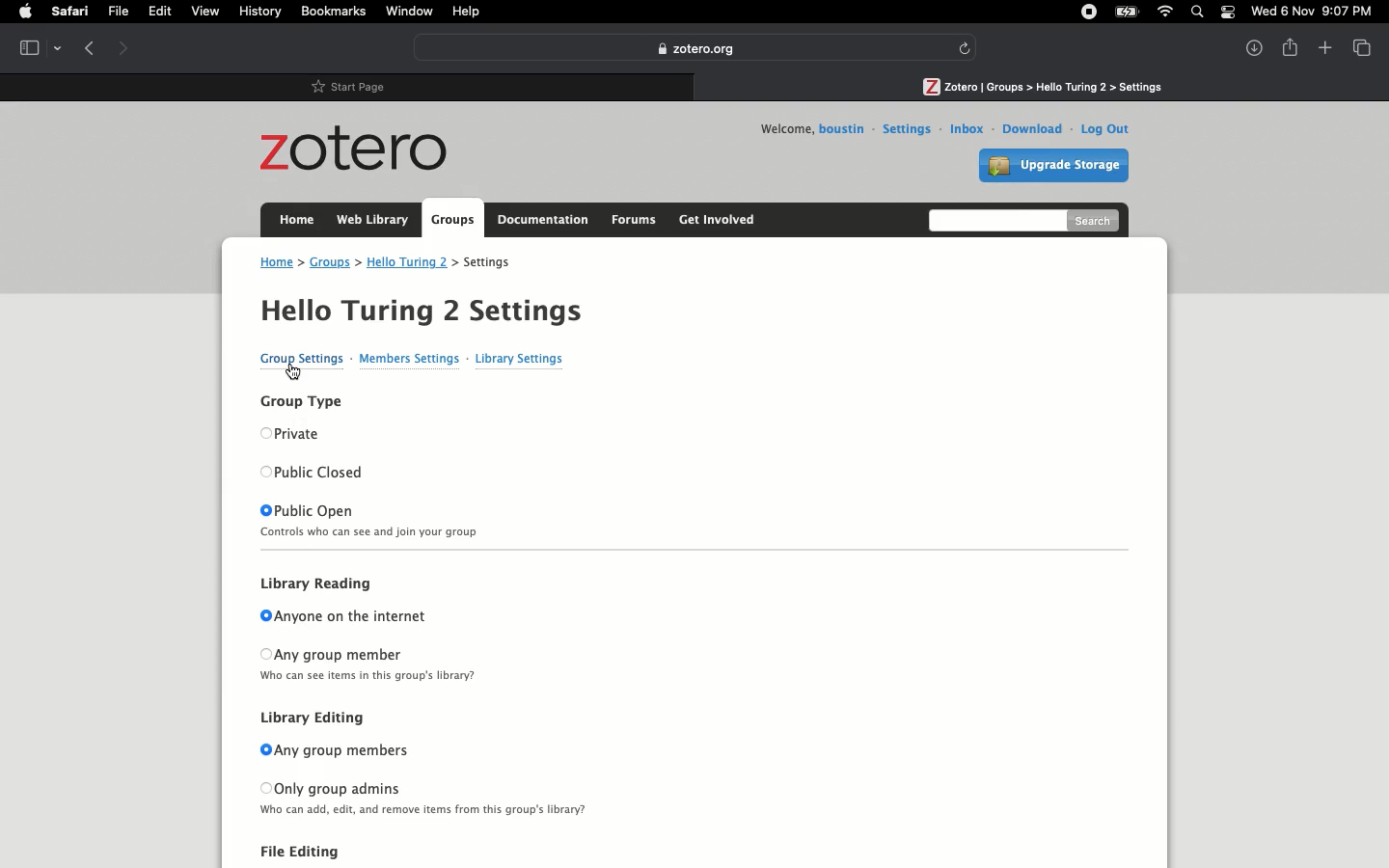 The width and height of the screenshot is (1389, 868). What do you see at coordinates (341, 616) in the screenshot?
I see `Anyone on the internet` at bounding box center [341, 616].